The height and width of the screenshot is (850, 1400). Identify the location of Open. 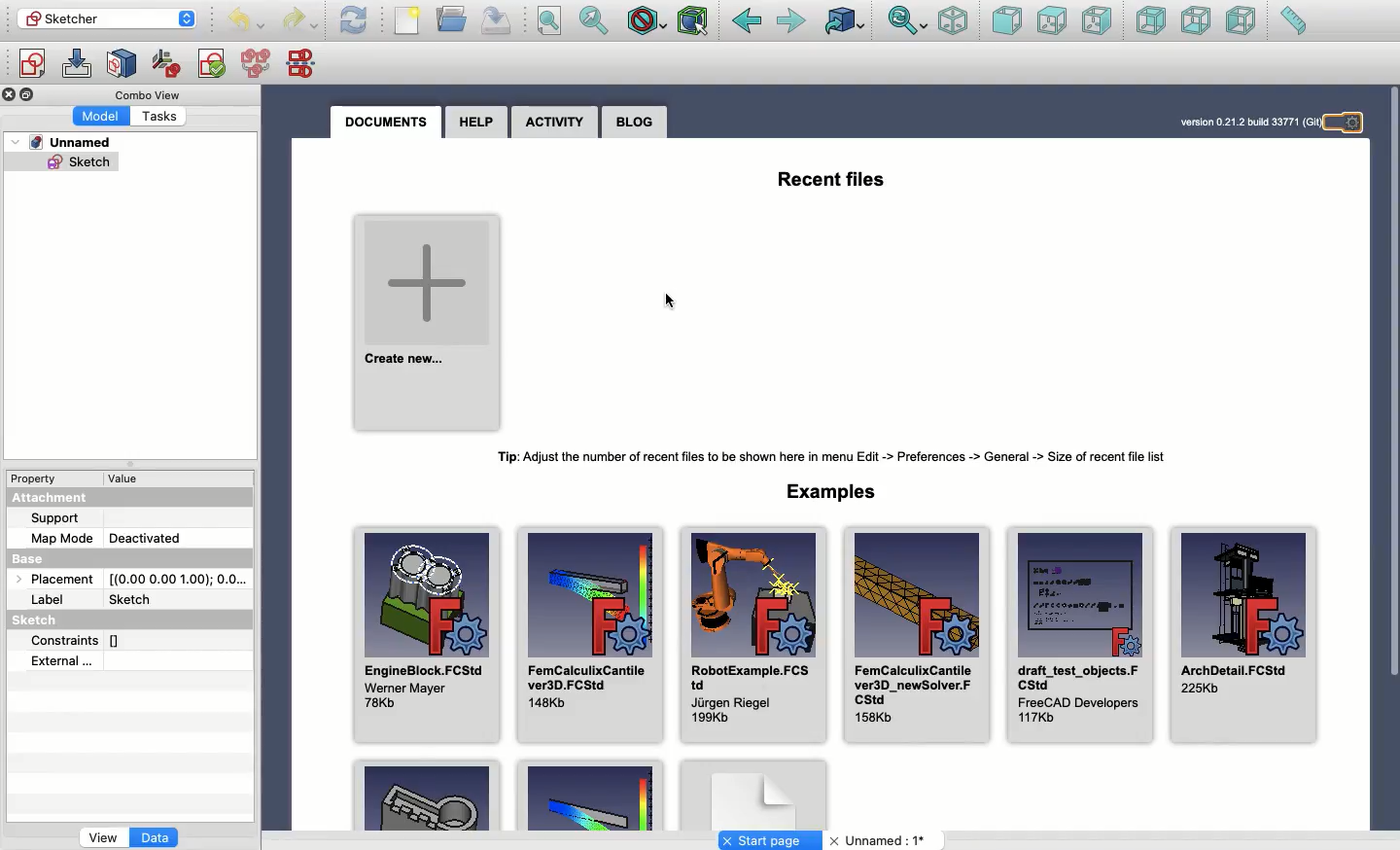
(453, 18).